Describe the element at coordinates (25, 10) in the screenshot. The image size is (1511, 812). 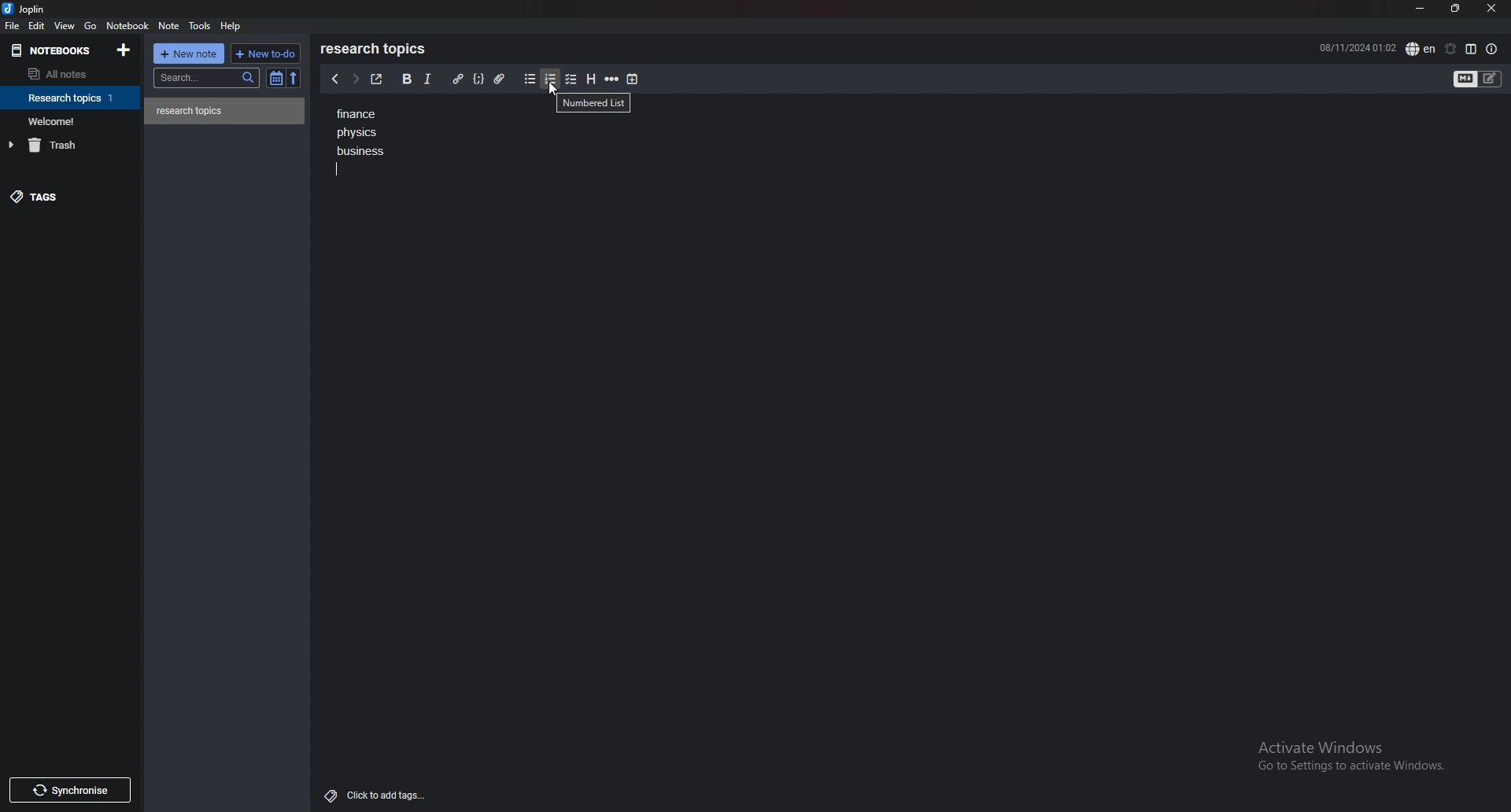
I see `joplin` at that location.